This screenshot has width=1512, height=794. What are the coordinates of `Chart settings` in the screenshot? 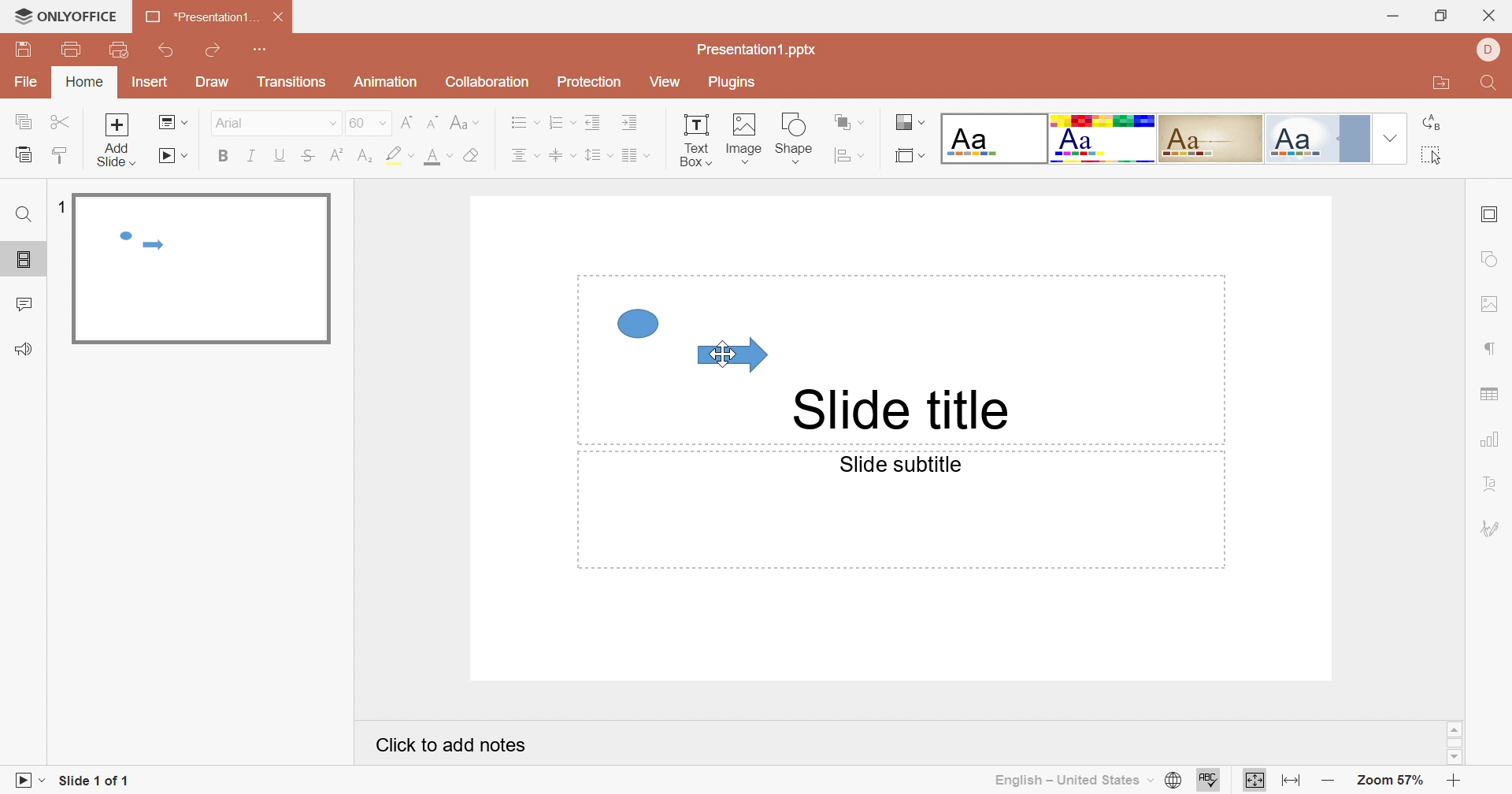 It's located at (1490, 446).